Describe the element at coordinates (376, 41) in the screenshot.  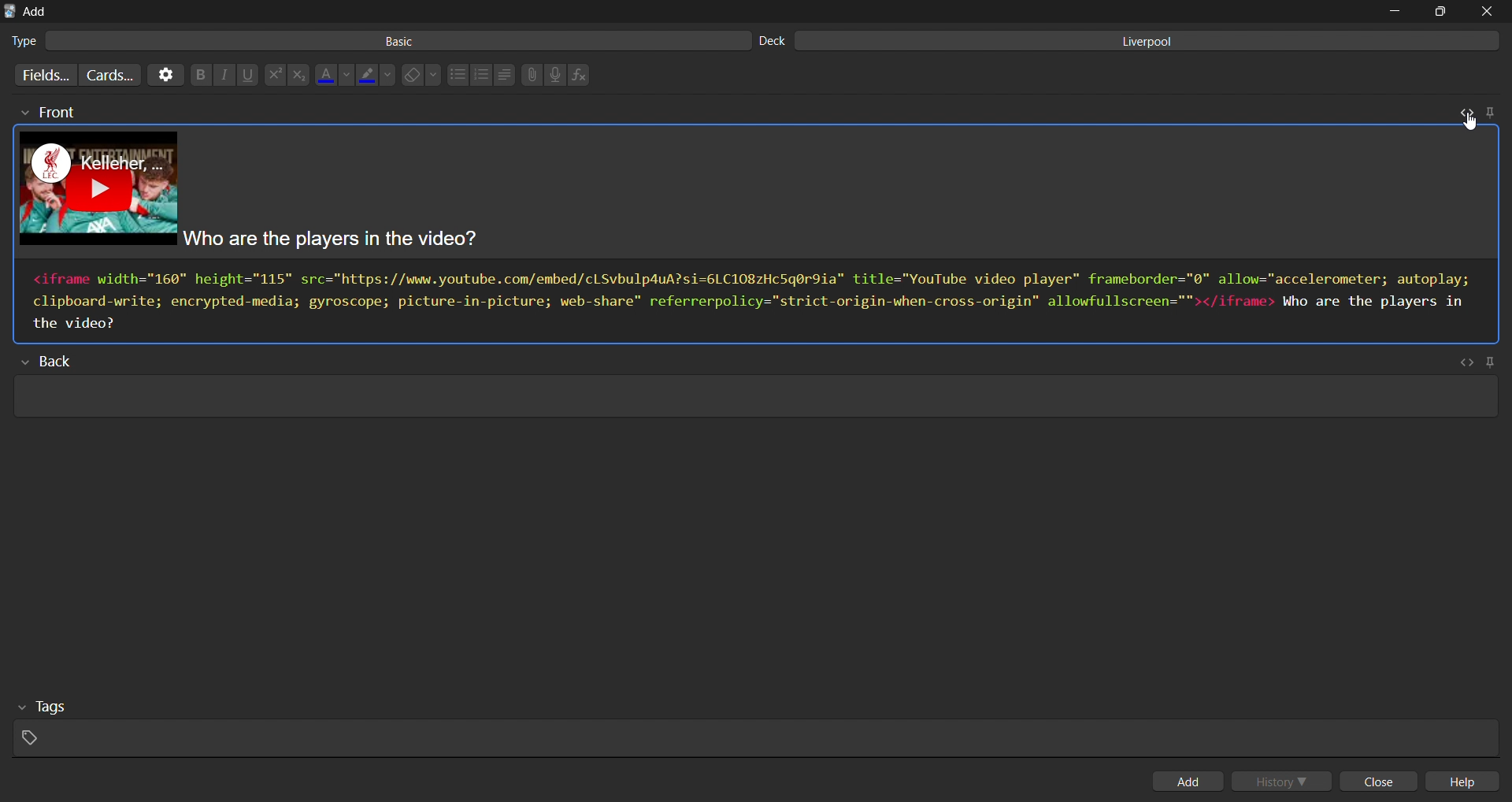
I see `basic card type ` at that location.